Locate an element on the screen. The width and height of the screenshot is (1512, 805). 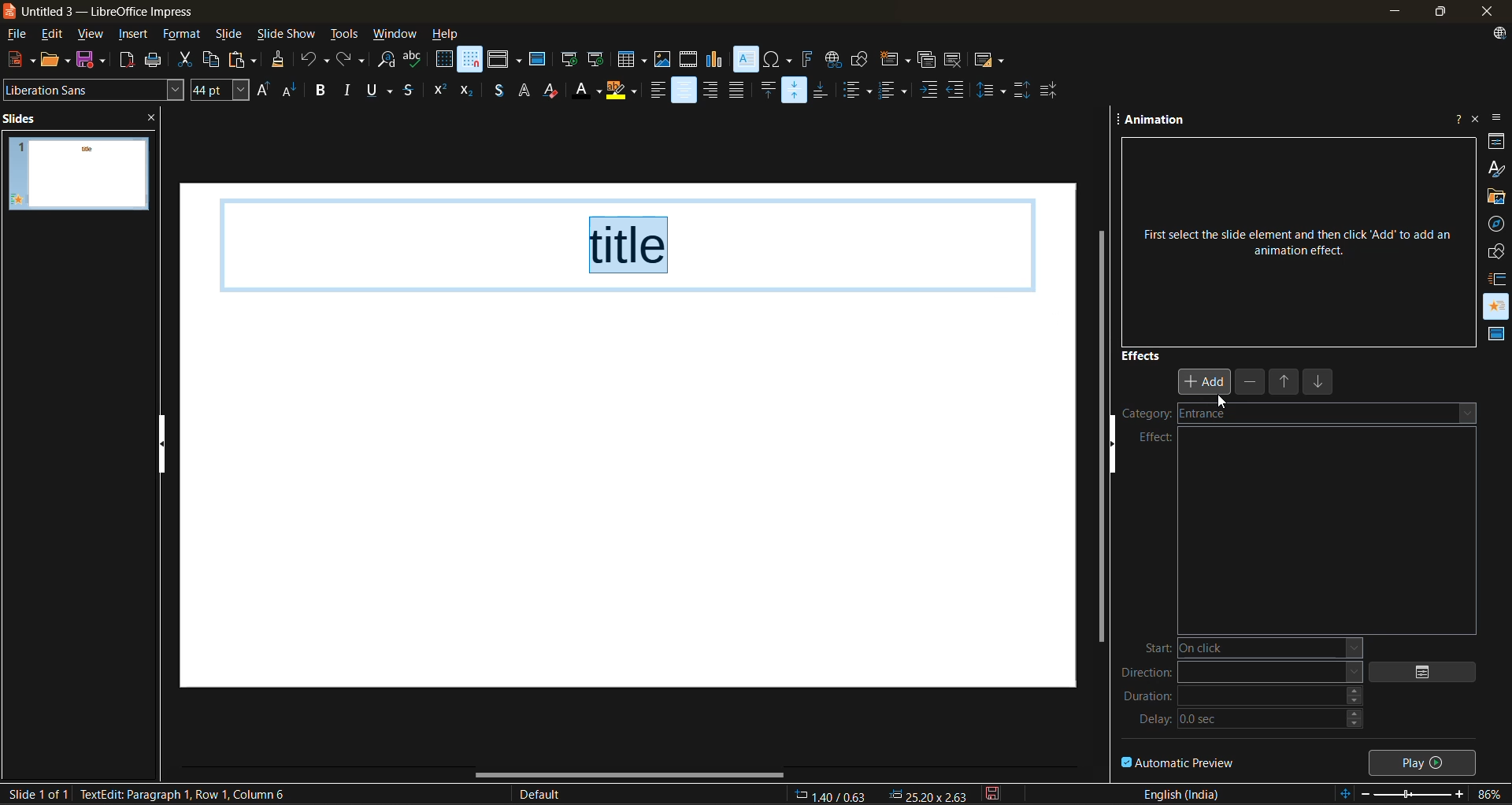
snap to grid is located at coordinates (471, 59).